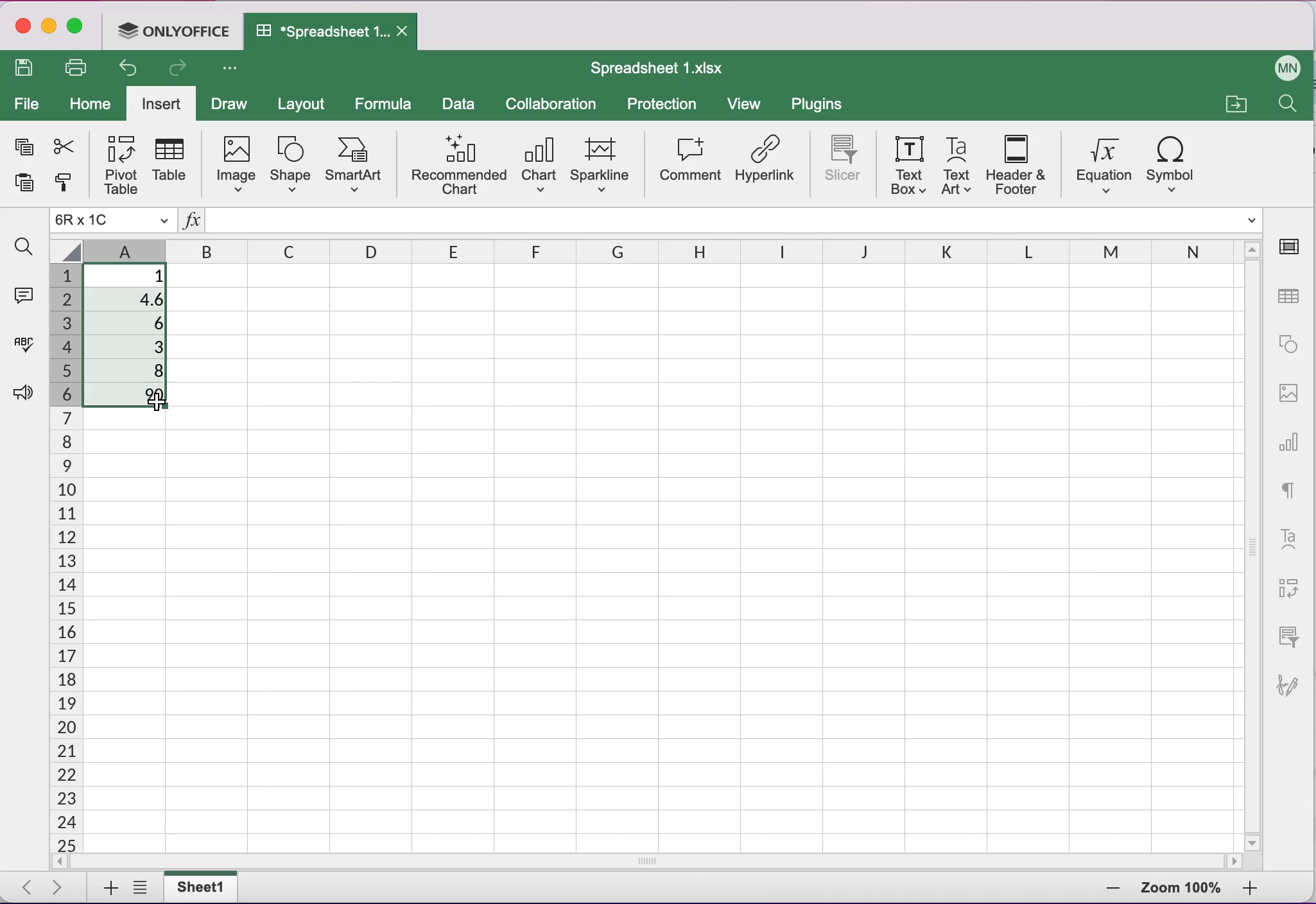 This screenshot has width=1316, height=904. Describe the element at coordinates (387, 102) in the screenshot. I see `formula` at that location.